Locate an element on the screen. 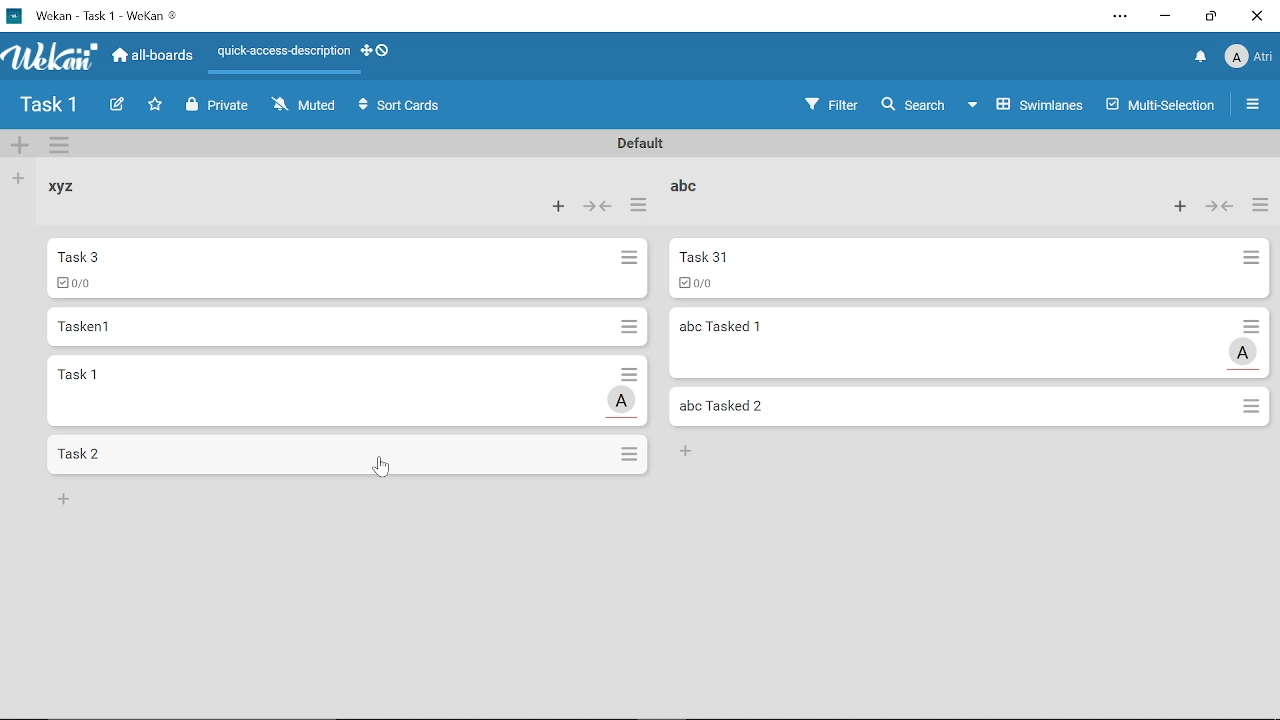 This screenshot has width=1280, height=720. Card actions is located at coordinates (627, 372).